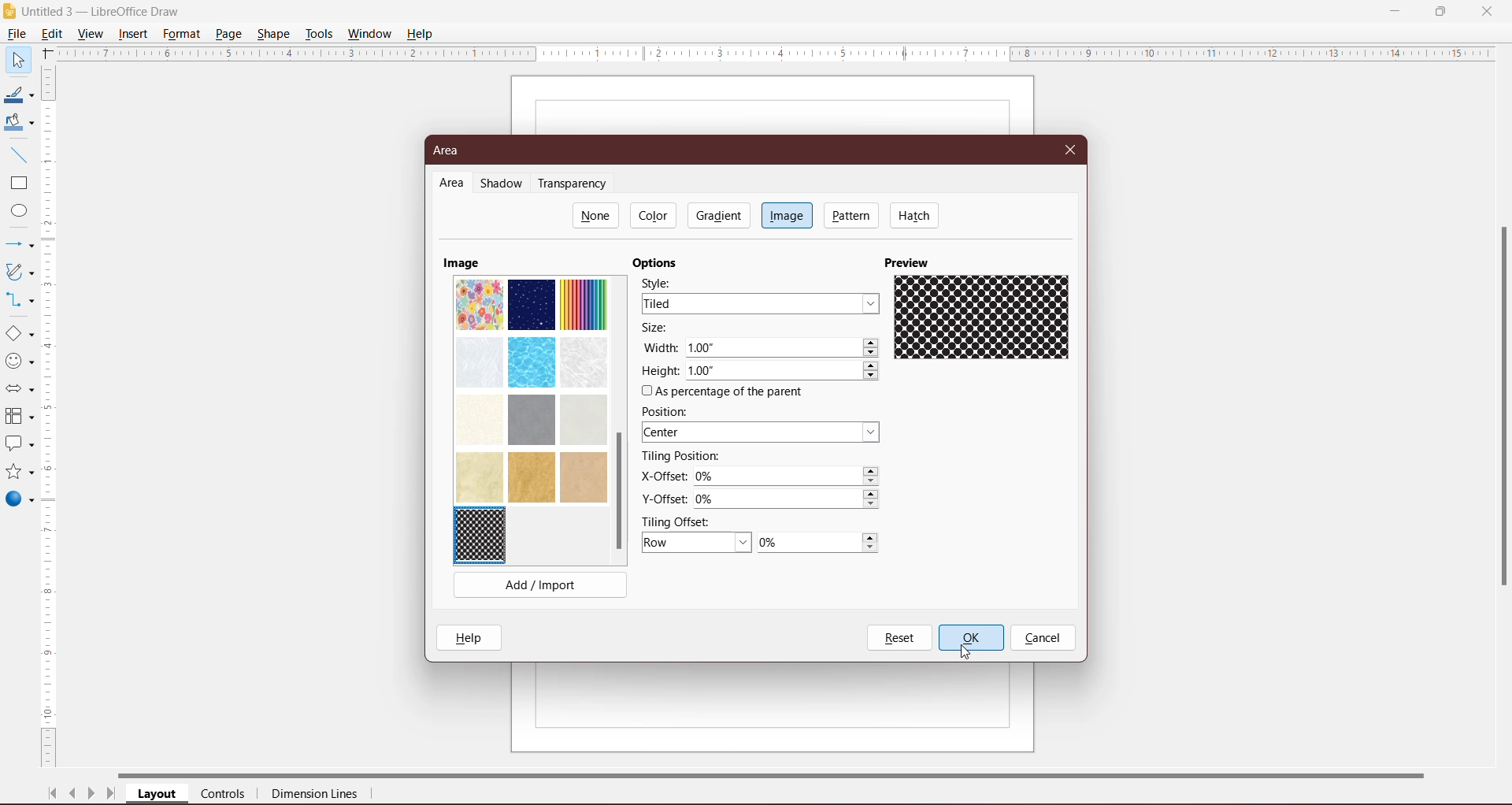 This screenshot has height=805, width=1512. Describe the element at coordinates (228, 33) in the screenshot. I see `Page` at that location.